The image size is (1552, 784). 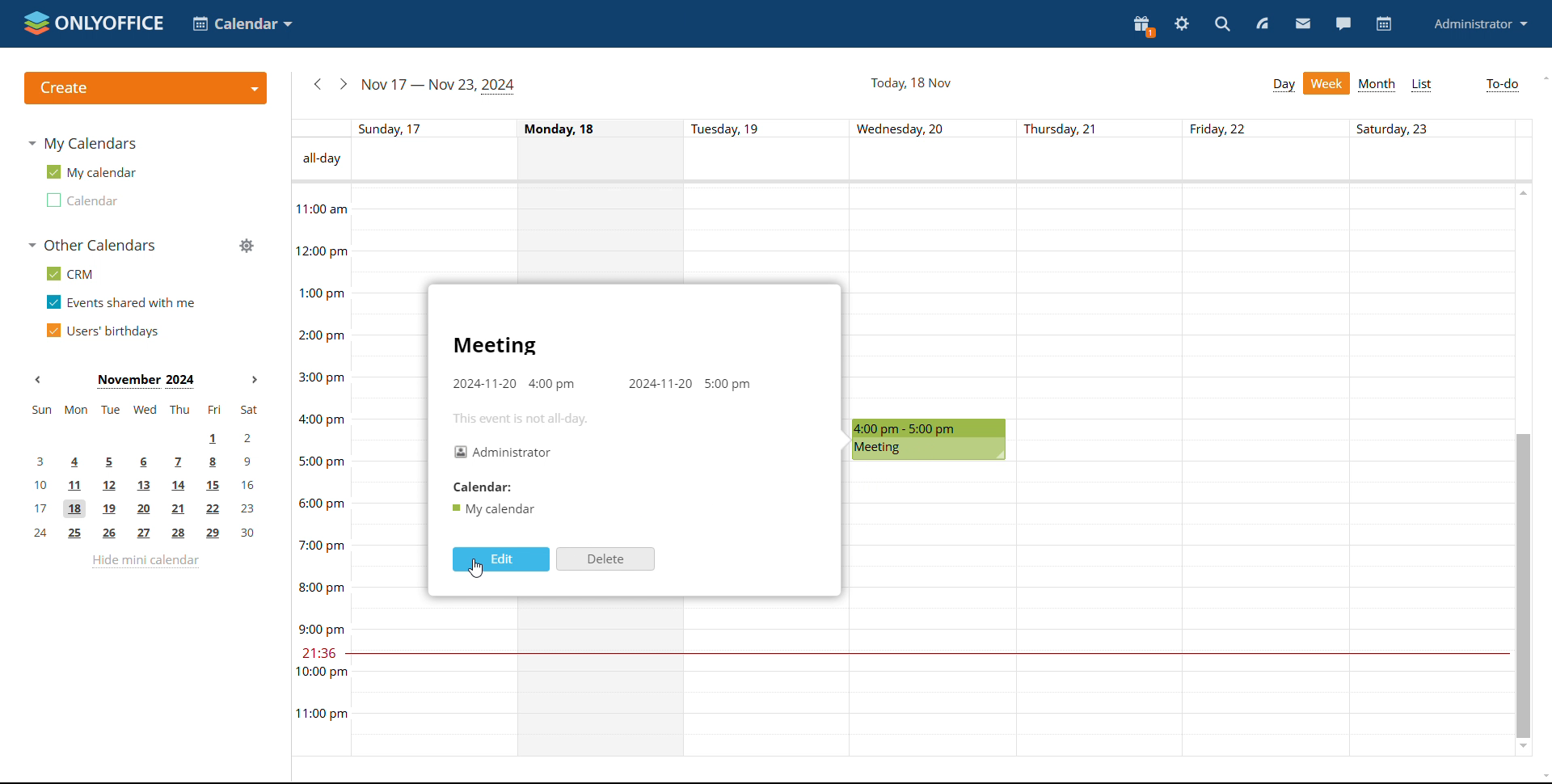 I want to click on month view, so click(x=1377, y=85).